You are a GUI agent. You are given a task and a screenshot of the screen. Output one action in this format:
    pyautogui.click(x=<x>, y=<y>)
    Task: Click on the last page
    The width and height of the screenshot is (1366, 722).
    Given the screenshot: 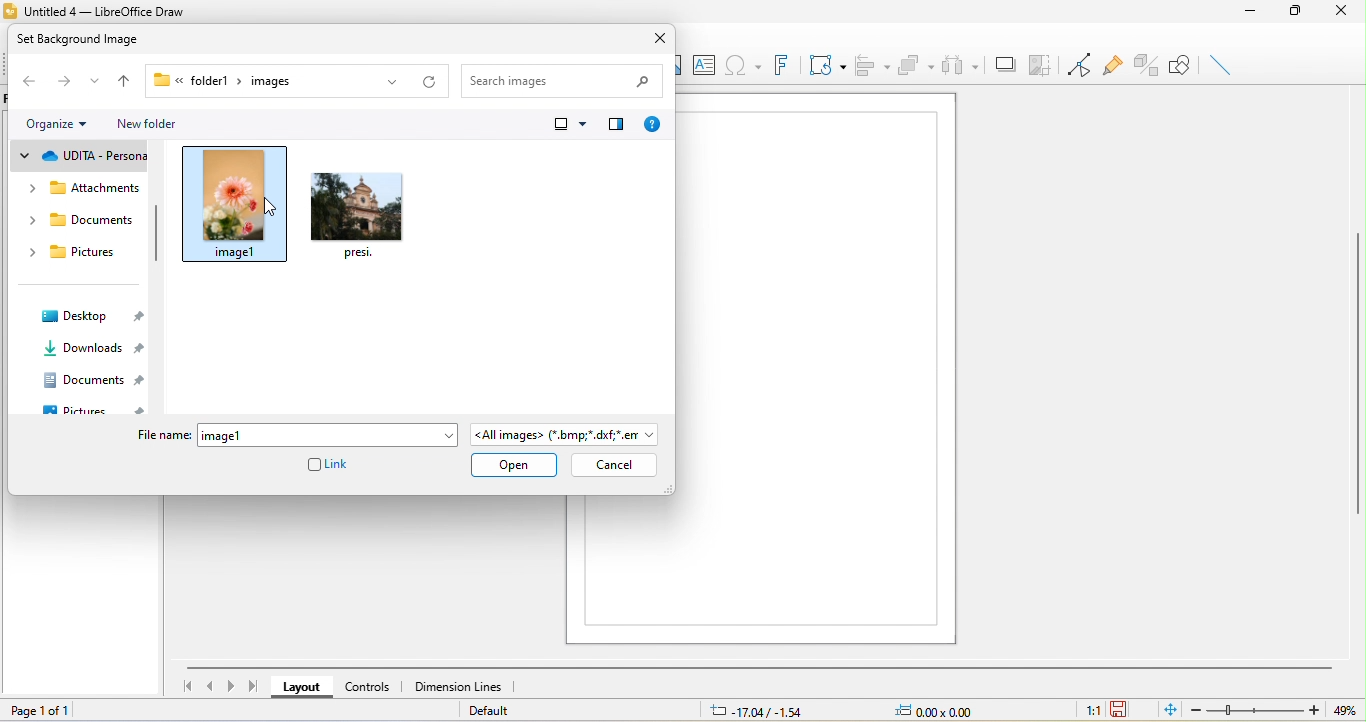 What is the action you would take?
    pyautogui.click(x=256, y=687)
    